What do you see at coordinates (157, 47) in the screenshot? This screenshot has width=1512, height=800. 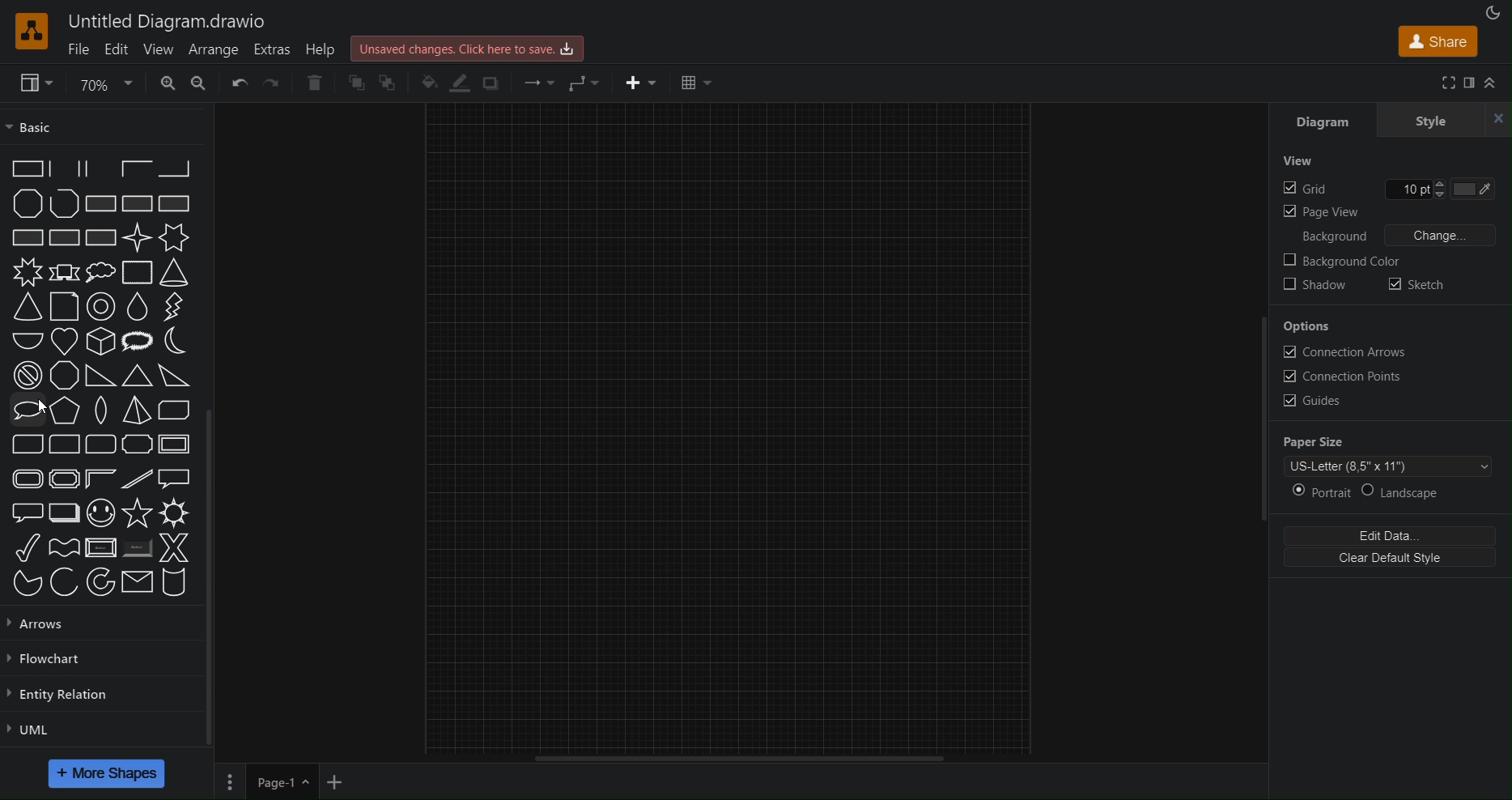 I see `View` at bounding box center [157, 47].